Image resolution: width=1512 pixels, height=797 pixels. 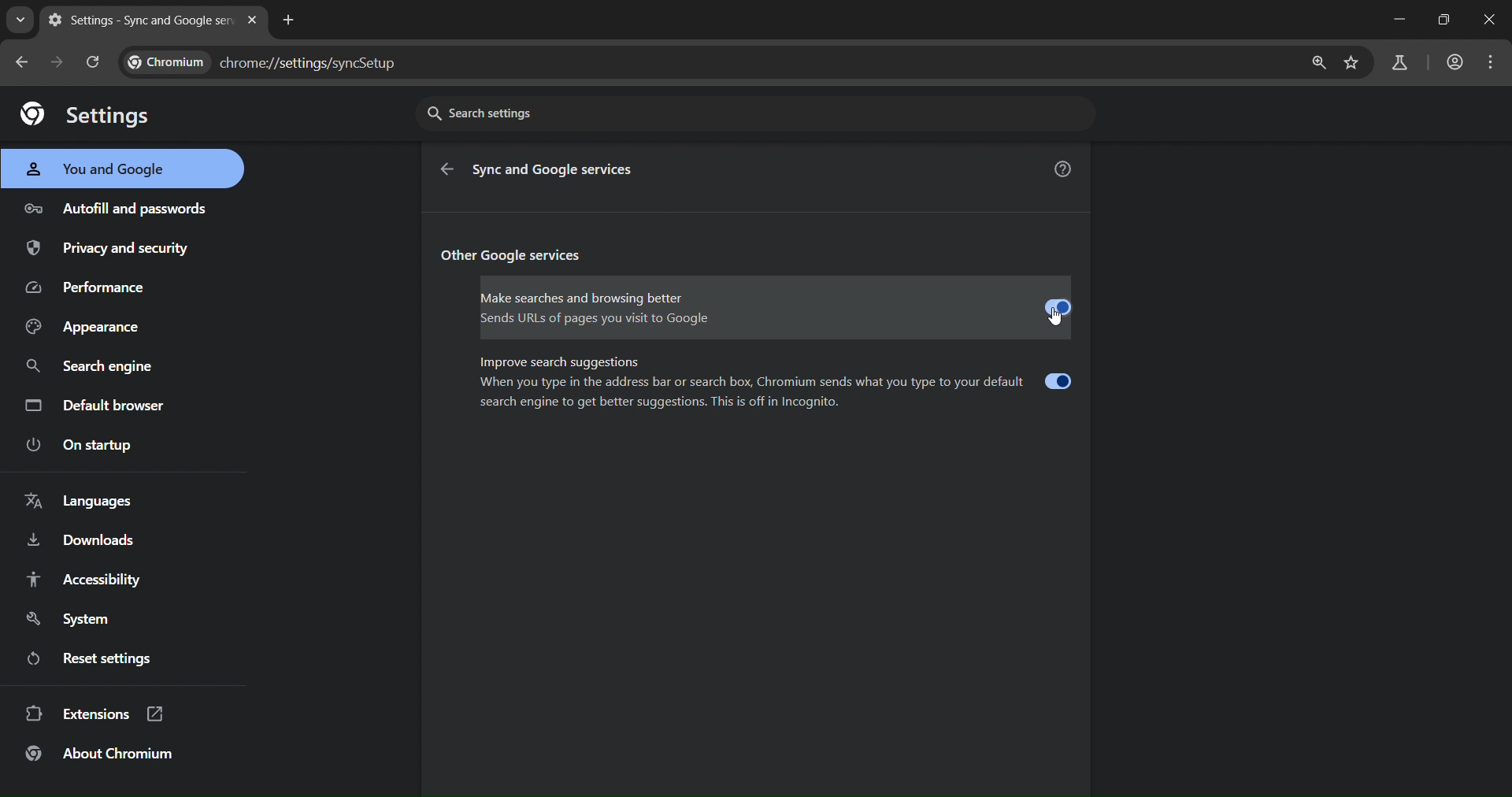 What do you see at coordinates (72, 621) in the screenshot?
I see `system` at bounding box center [72, 621].